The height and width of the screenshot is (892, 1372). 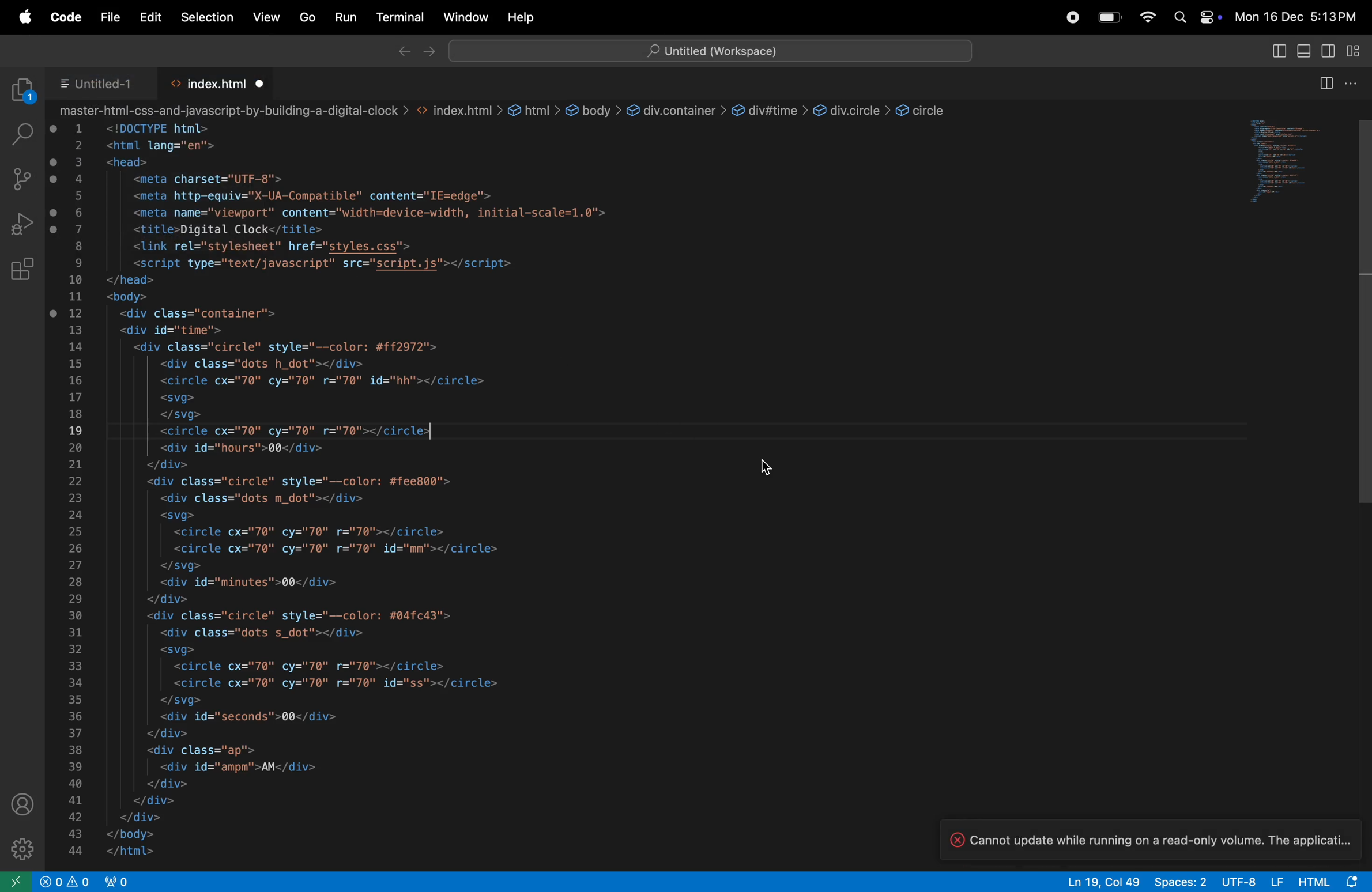 I want to click on </div>, so click(x=167, y=598).